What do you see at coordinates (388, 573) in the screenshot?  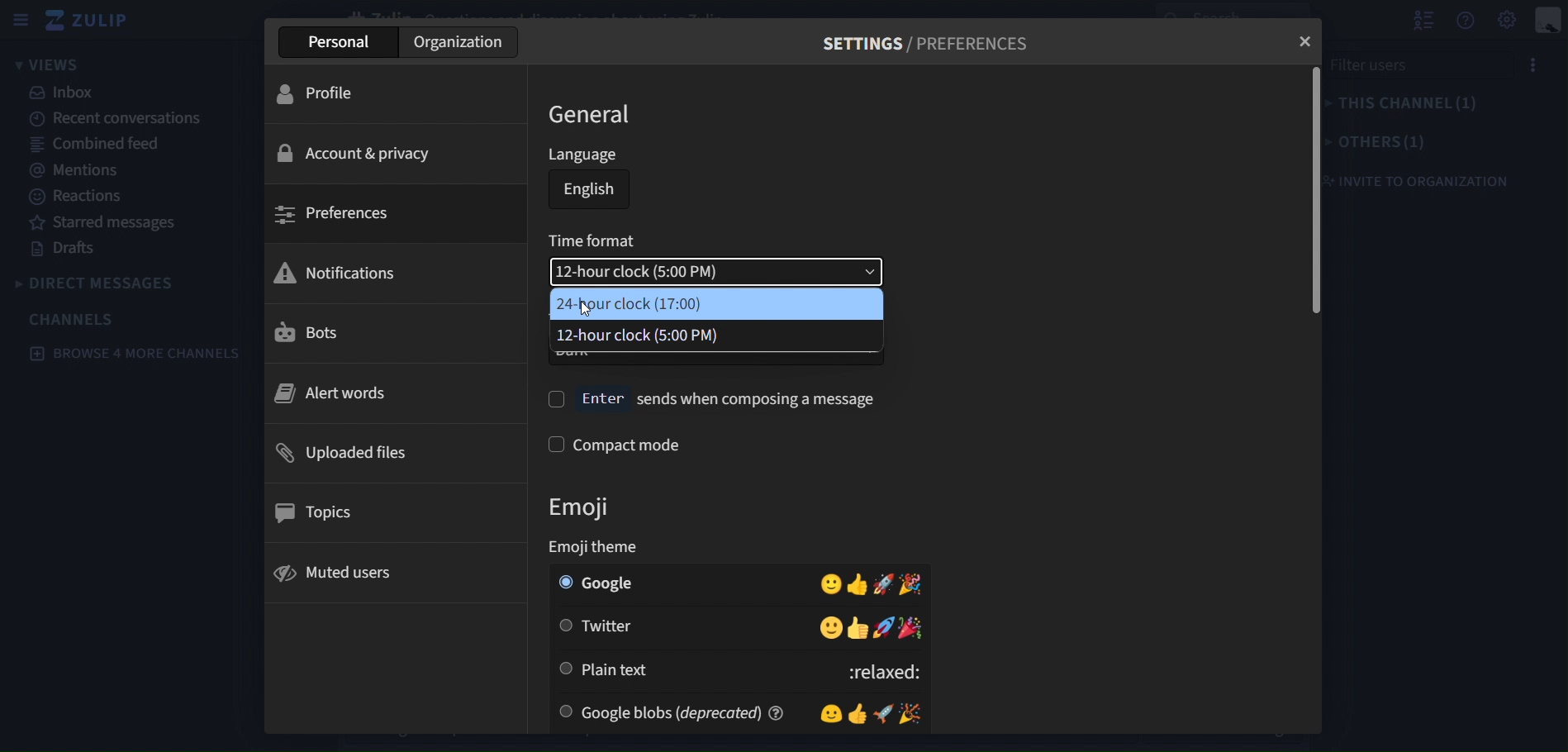 I see `muted users` at bounding box center [388, 573].